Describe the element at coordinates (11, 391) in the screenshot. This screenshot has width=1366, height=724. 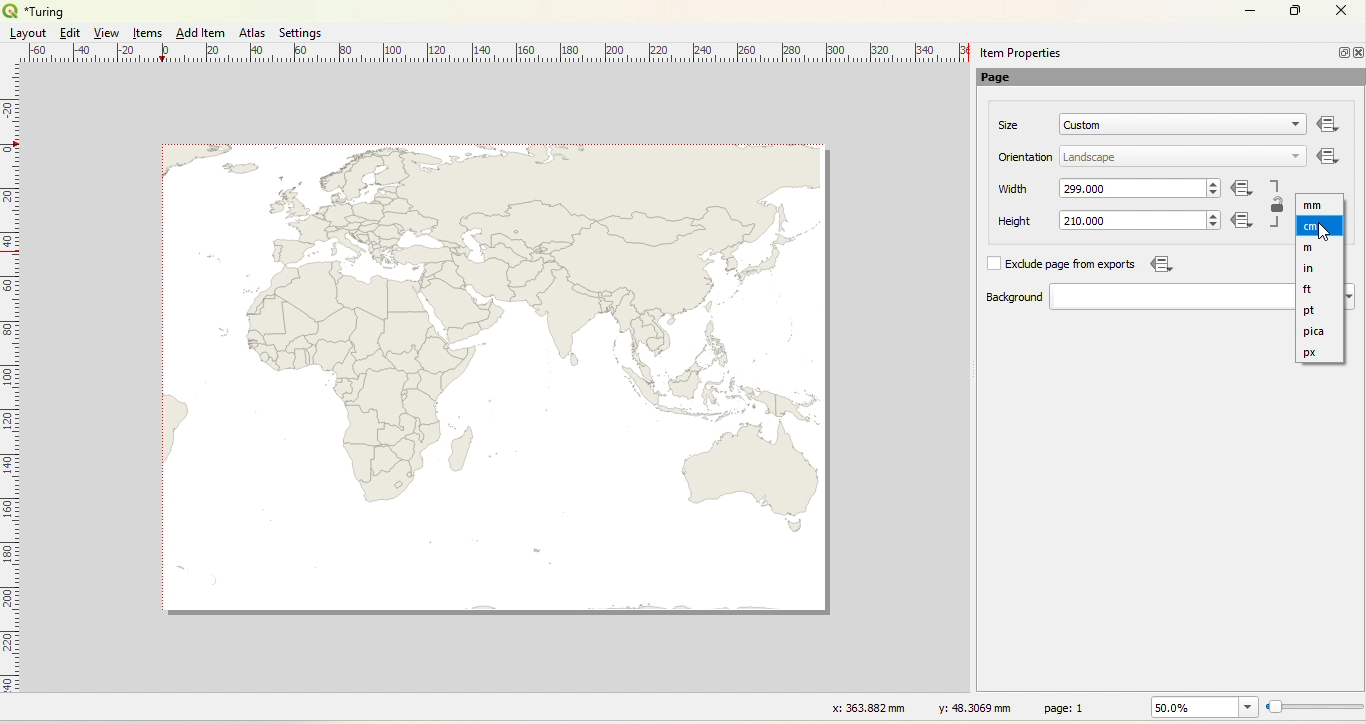
I see `Ruler` at that location.